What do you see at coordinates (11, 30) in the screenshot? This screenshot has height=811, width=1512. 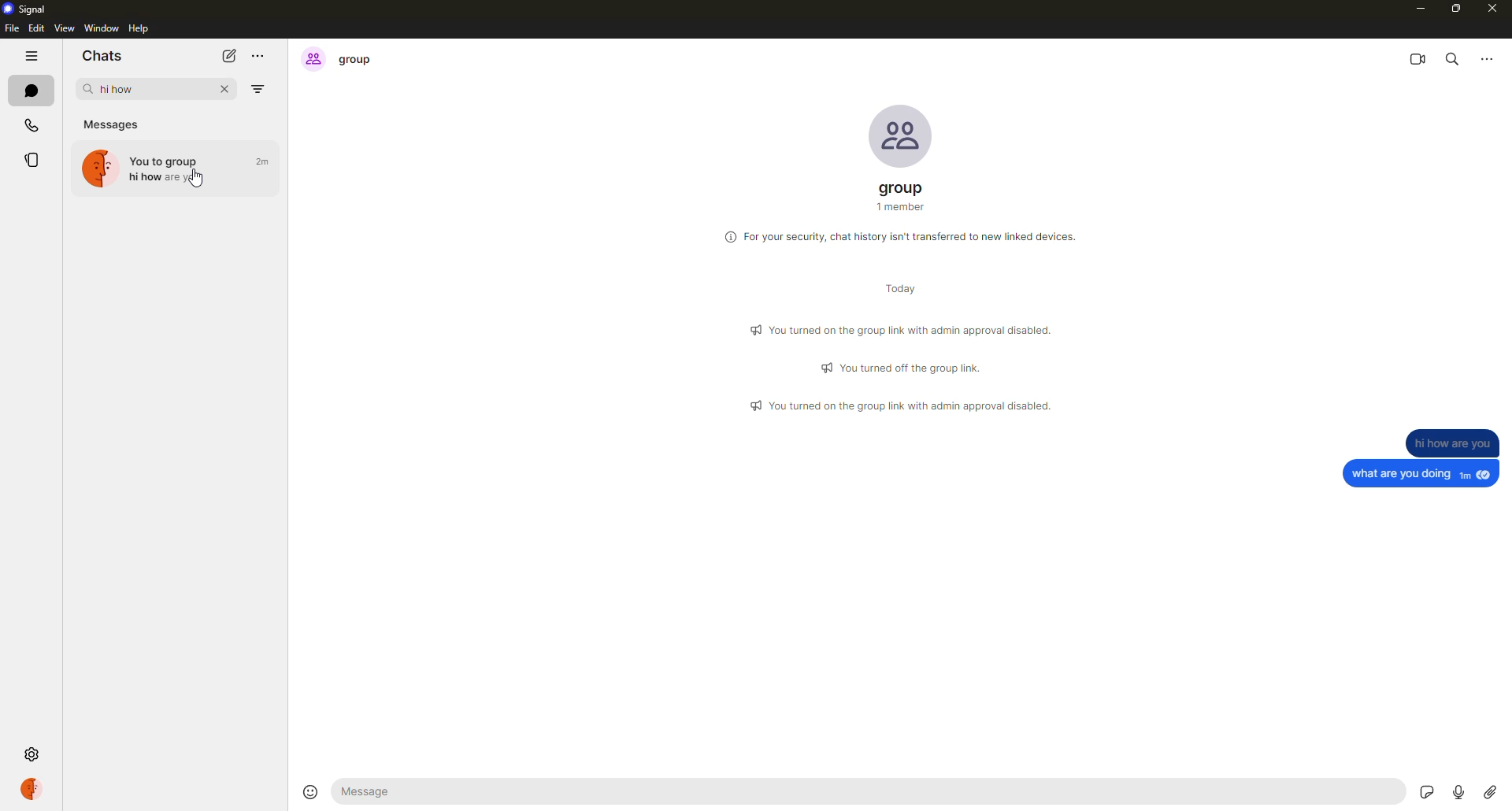 I see `file` at bounding box center [11, 30].